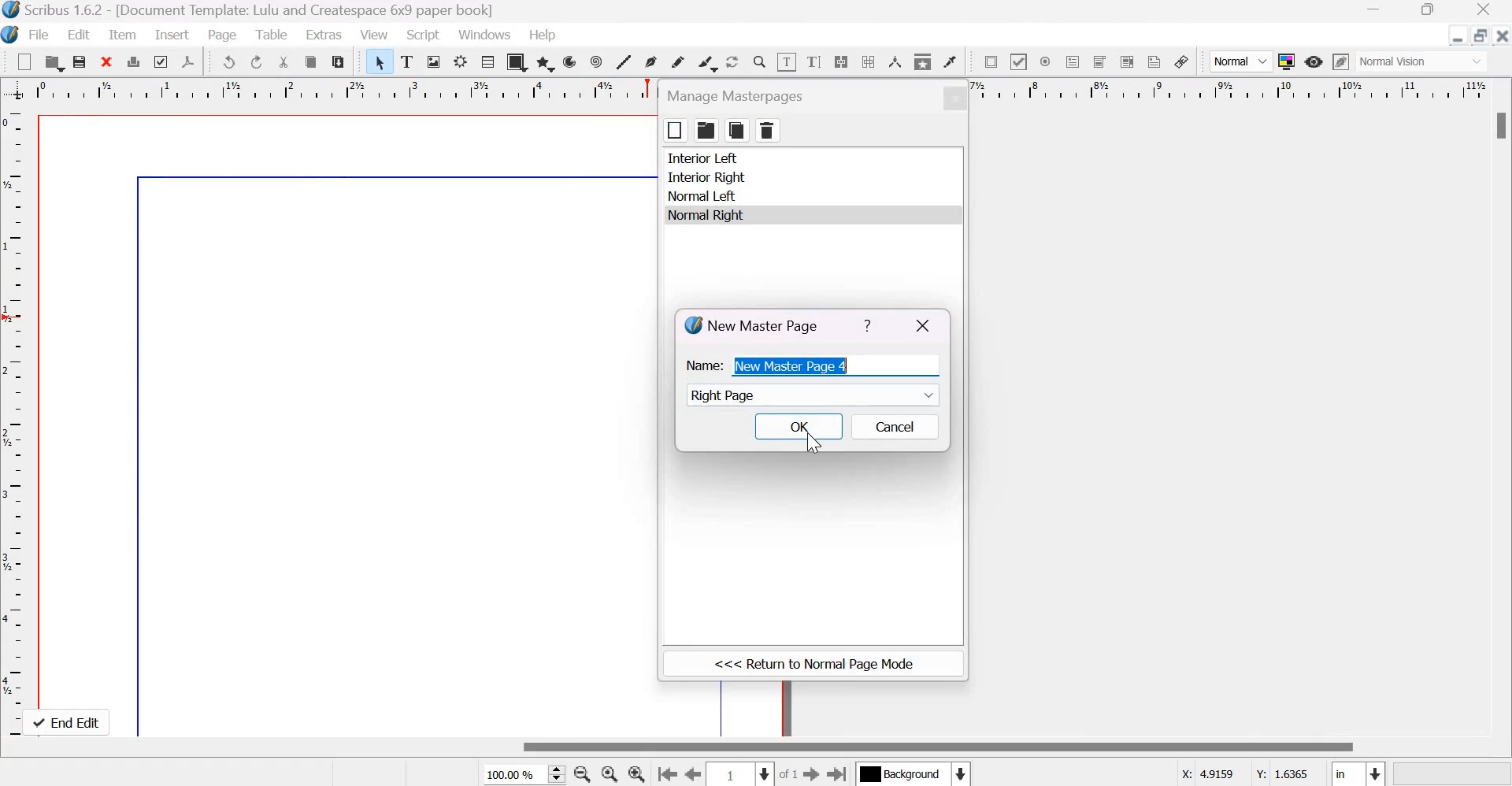 The width and height of the screenshot is (1512, 786). Describe the element at coordinates (460, 62) in the screenshot. I see `Render frame` at that location.